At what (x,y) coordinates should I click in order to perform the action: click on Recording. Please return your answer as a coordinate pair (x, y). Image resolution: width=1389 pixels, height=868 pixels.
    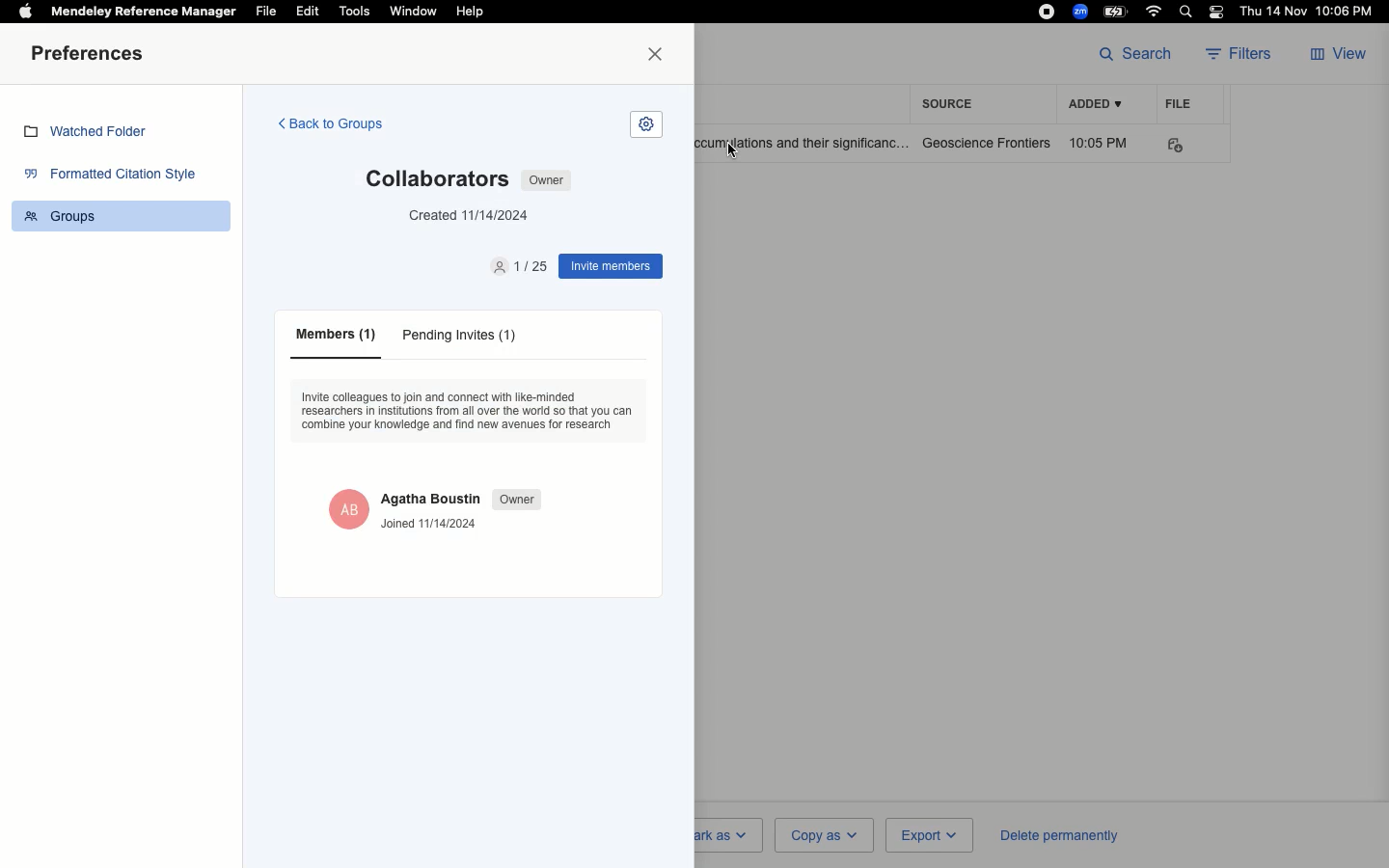
    Looking at the image, I should click on (1047, 12).